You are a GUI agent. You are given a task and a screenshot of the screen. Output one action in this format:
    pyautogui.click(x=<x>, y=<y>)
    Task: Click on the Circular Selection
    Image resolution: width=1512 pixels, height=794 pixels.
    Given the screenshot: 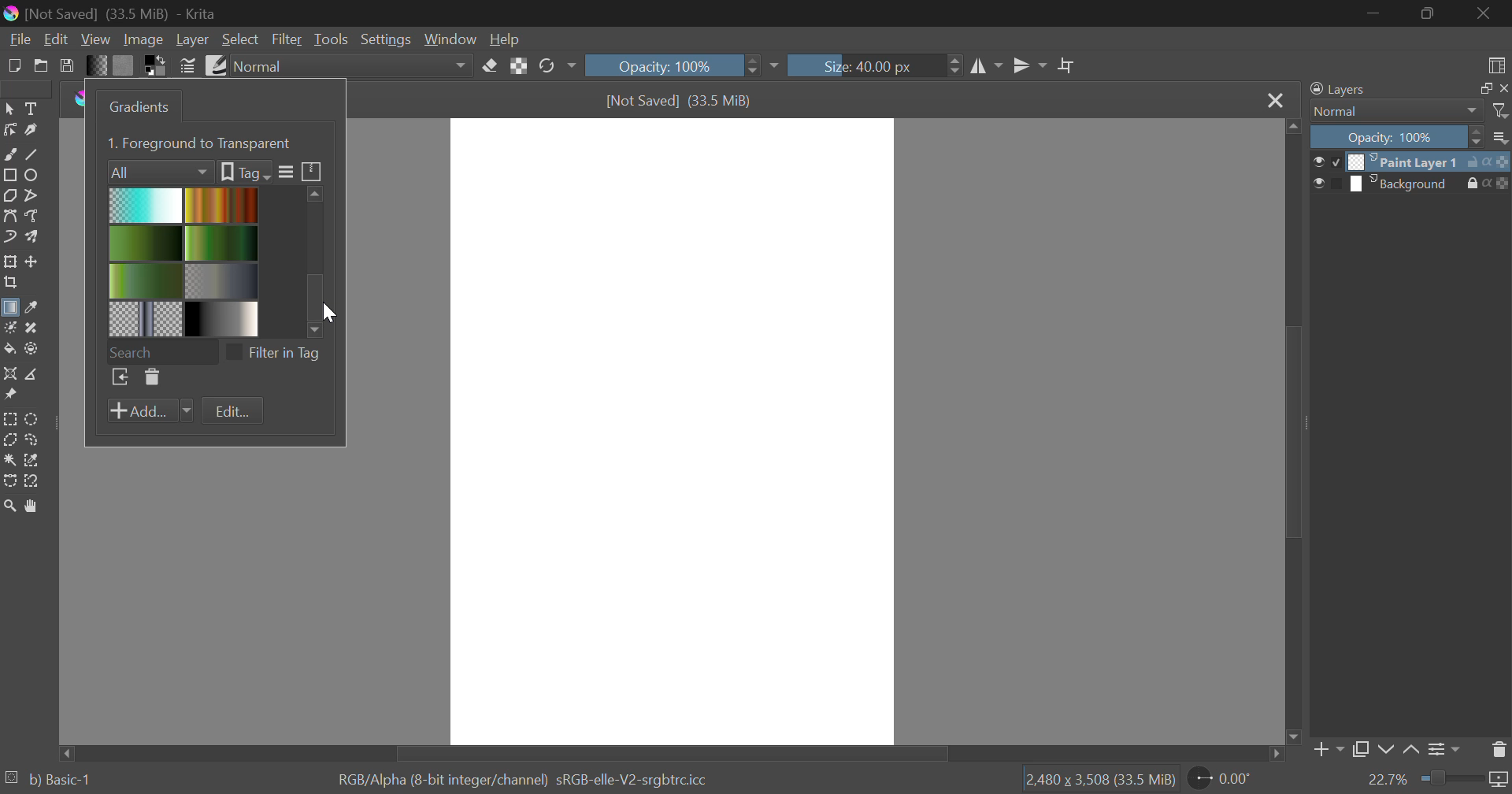 What is the action you would take?
    pyautogui.click(x=34, y=419)
    